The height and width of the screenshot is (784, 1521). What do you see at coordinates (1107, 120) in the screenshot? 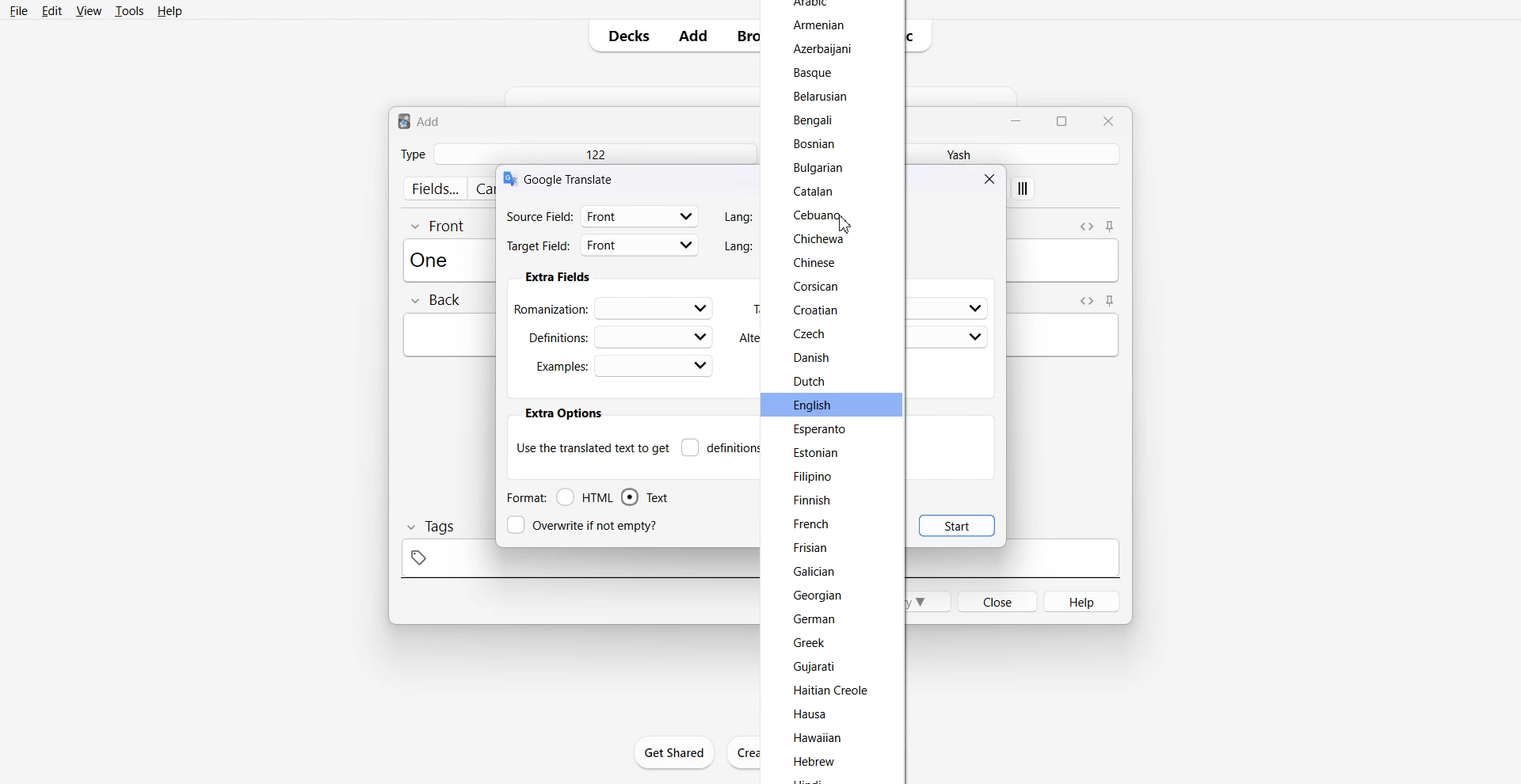
I see `Close` at bounding box center [1107, 120].